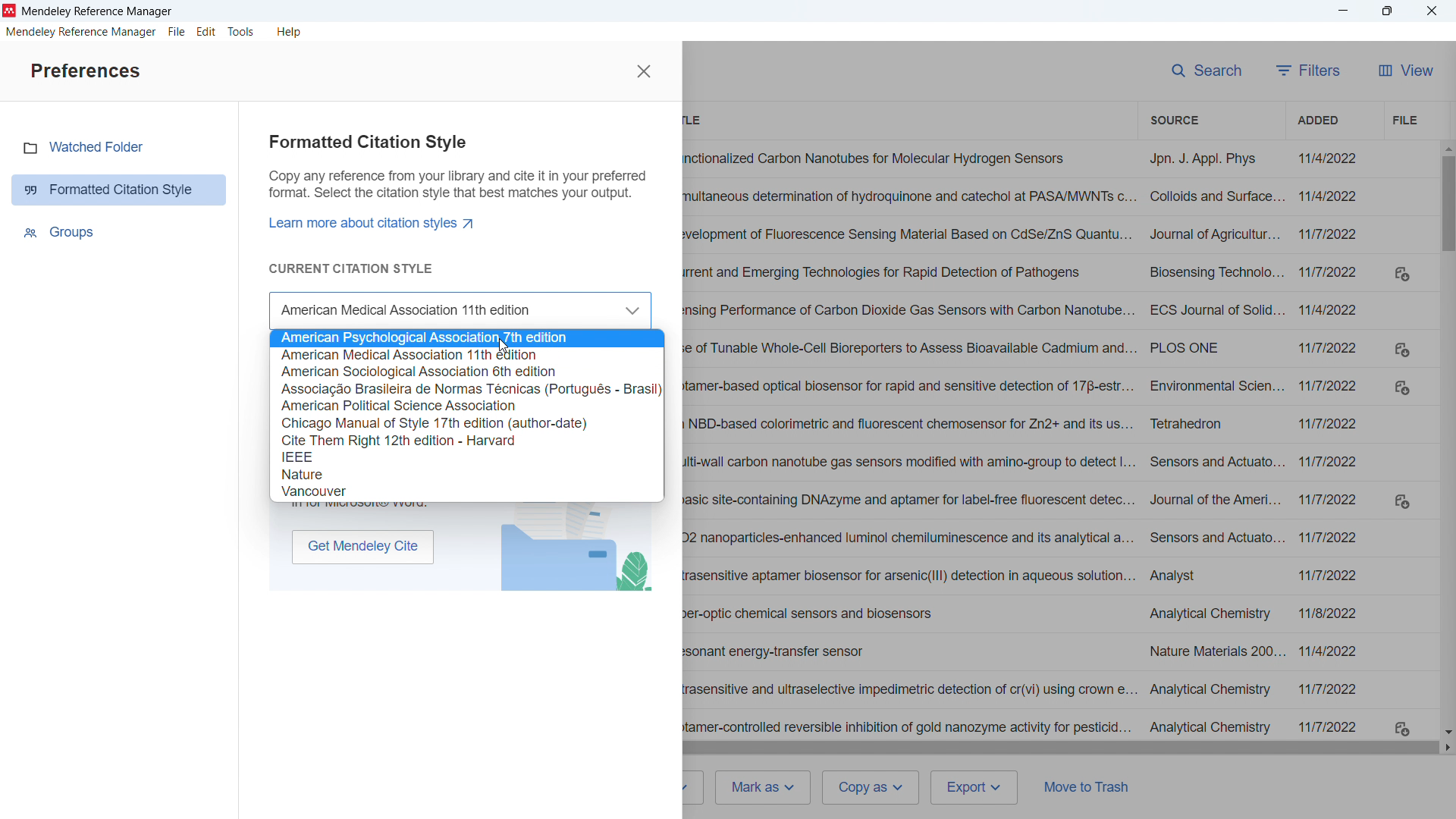  What do you see at coordinates (466, 338) in the screenshot?
I see `american psychological association 7th edition` at bounding box center [466, 338].